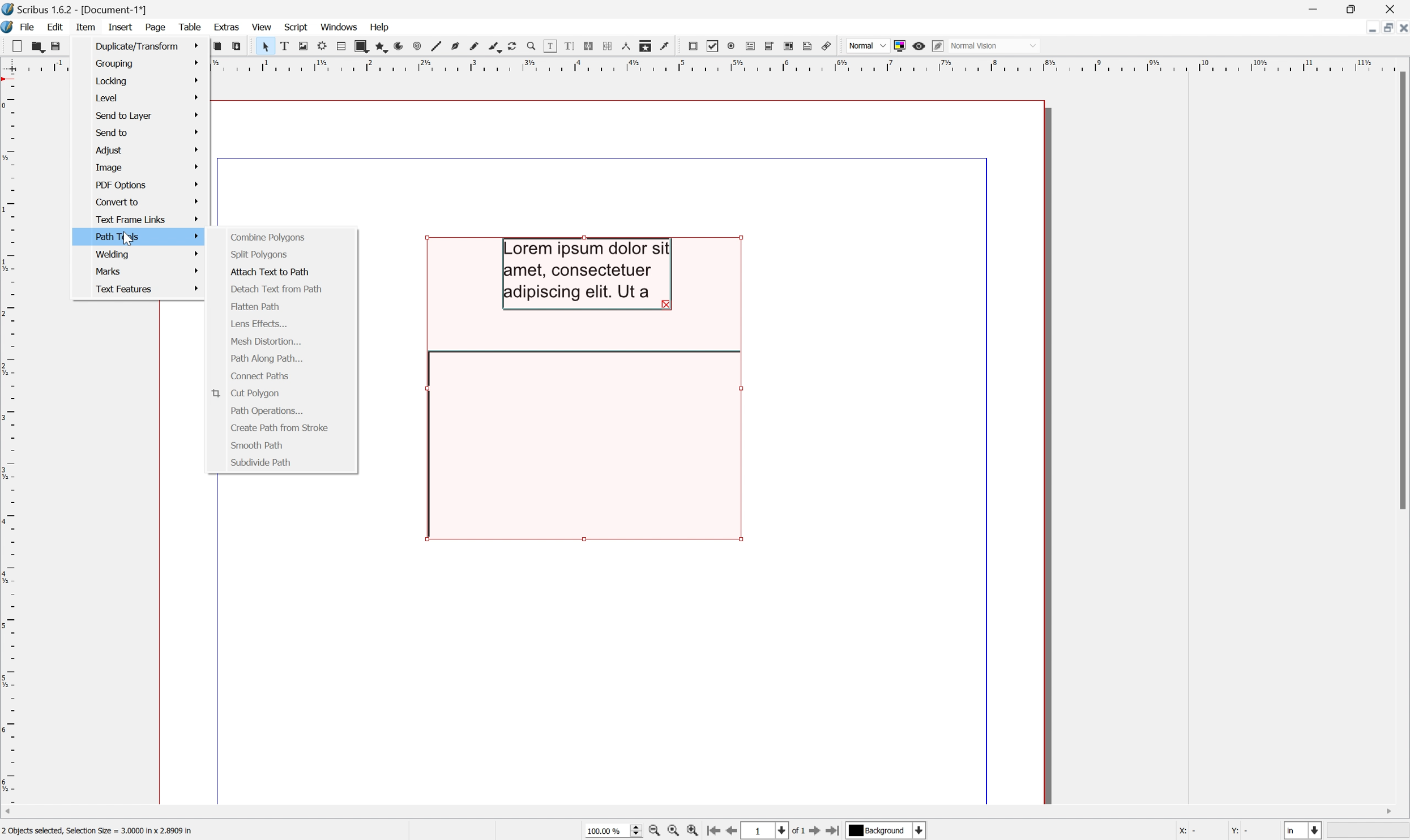 The height and width of the screenshot is (840, 1410). What do you see at coordinates (789, 46) in the screenshot?
I see `PDF list box` at bounding box center [789, 46].